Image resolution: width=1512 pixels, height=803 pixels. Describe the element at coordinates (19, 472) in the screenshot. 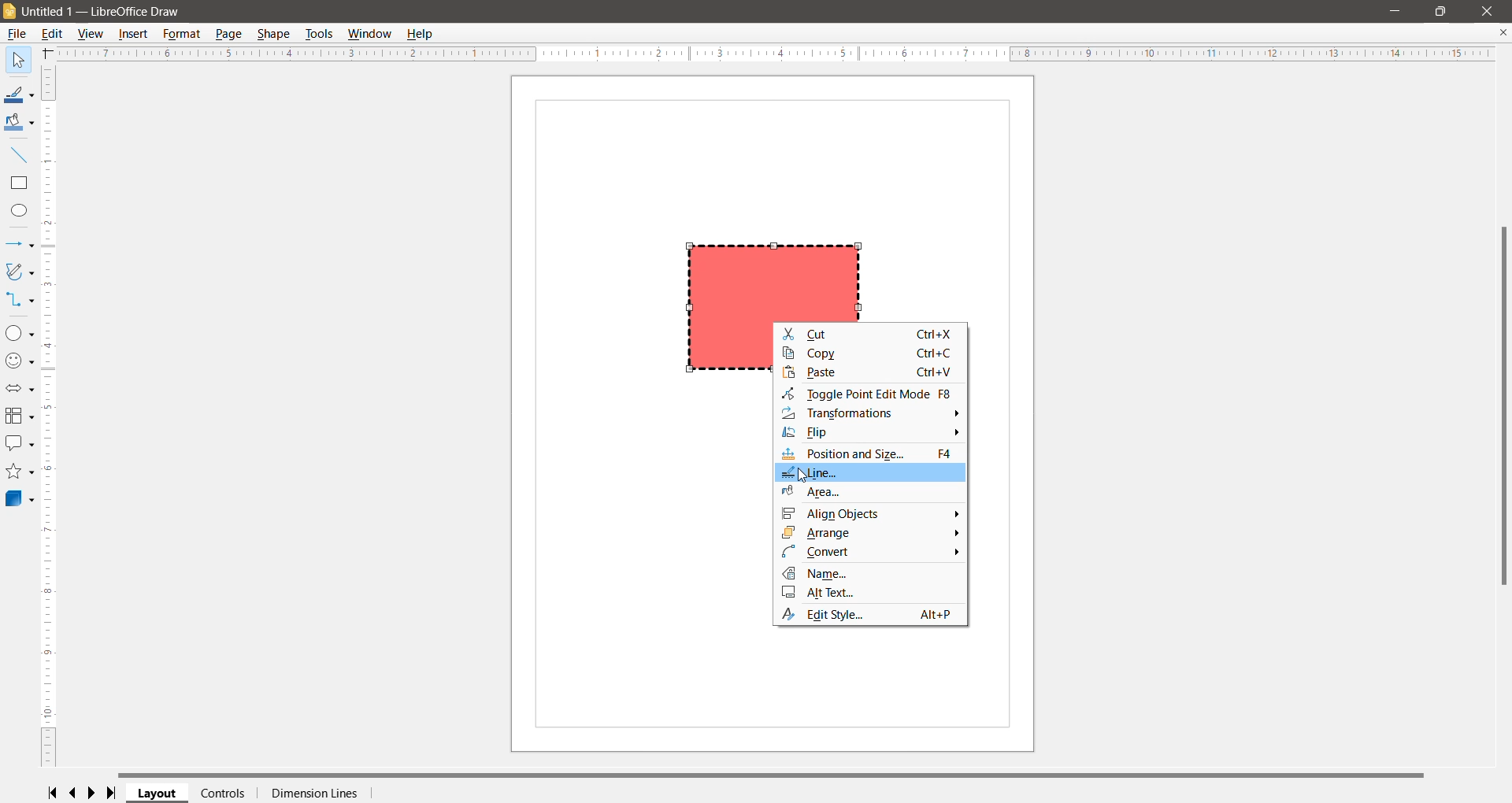

I see `Stars and Banners` at that location.